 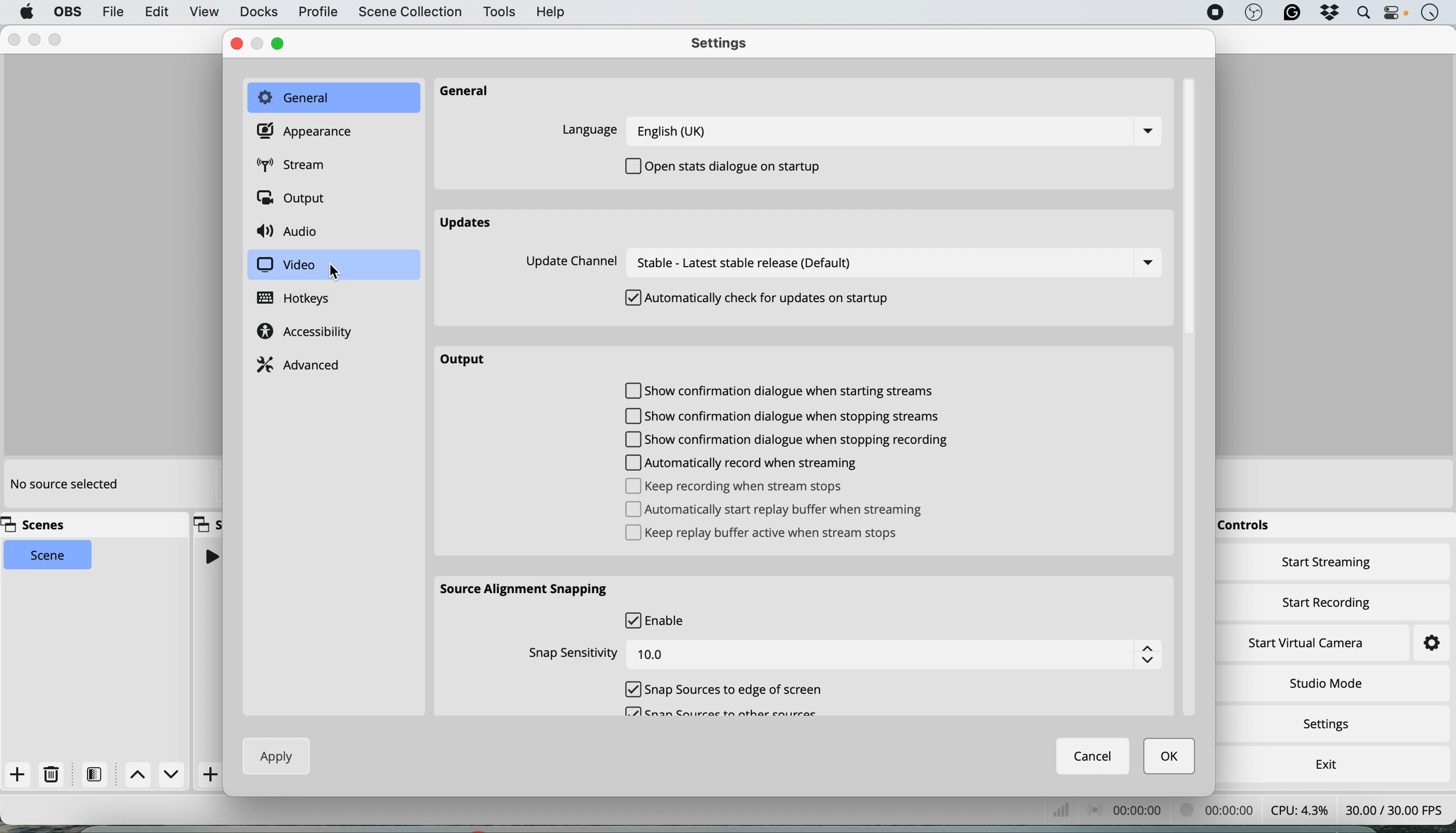 I want to click on start virtual camera, so click(x=1307, y=643).